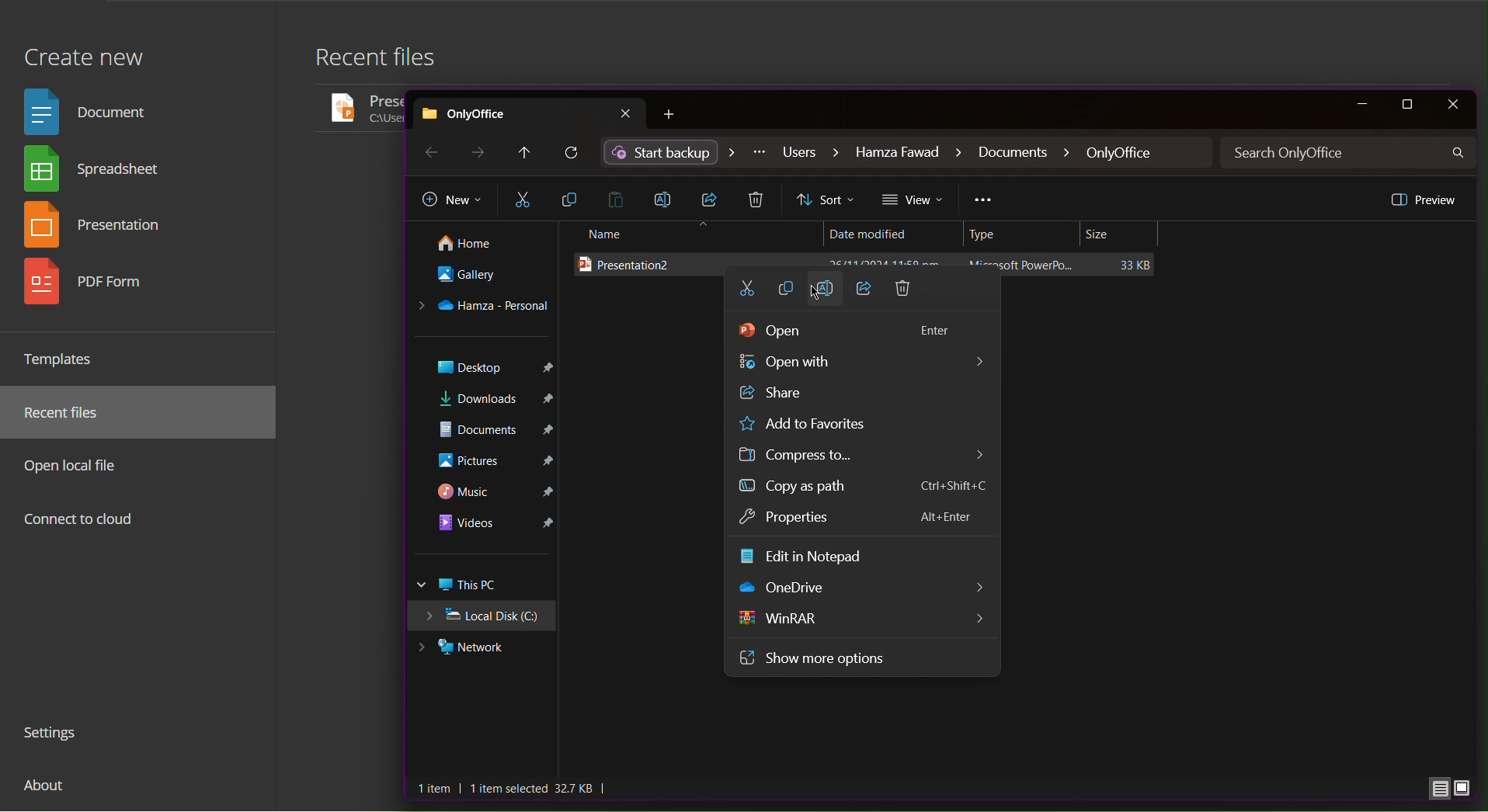 The width and height of the screenshot is (1488, 812). What do you see at coordinates (83, 49) in the screenshot?
I see `Create New` at bounding box center [83, 49].